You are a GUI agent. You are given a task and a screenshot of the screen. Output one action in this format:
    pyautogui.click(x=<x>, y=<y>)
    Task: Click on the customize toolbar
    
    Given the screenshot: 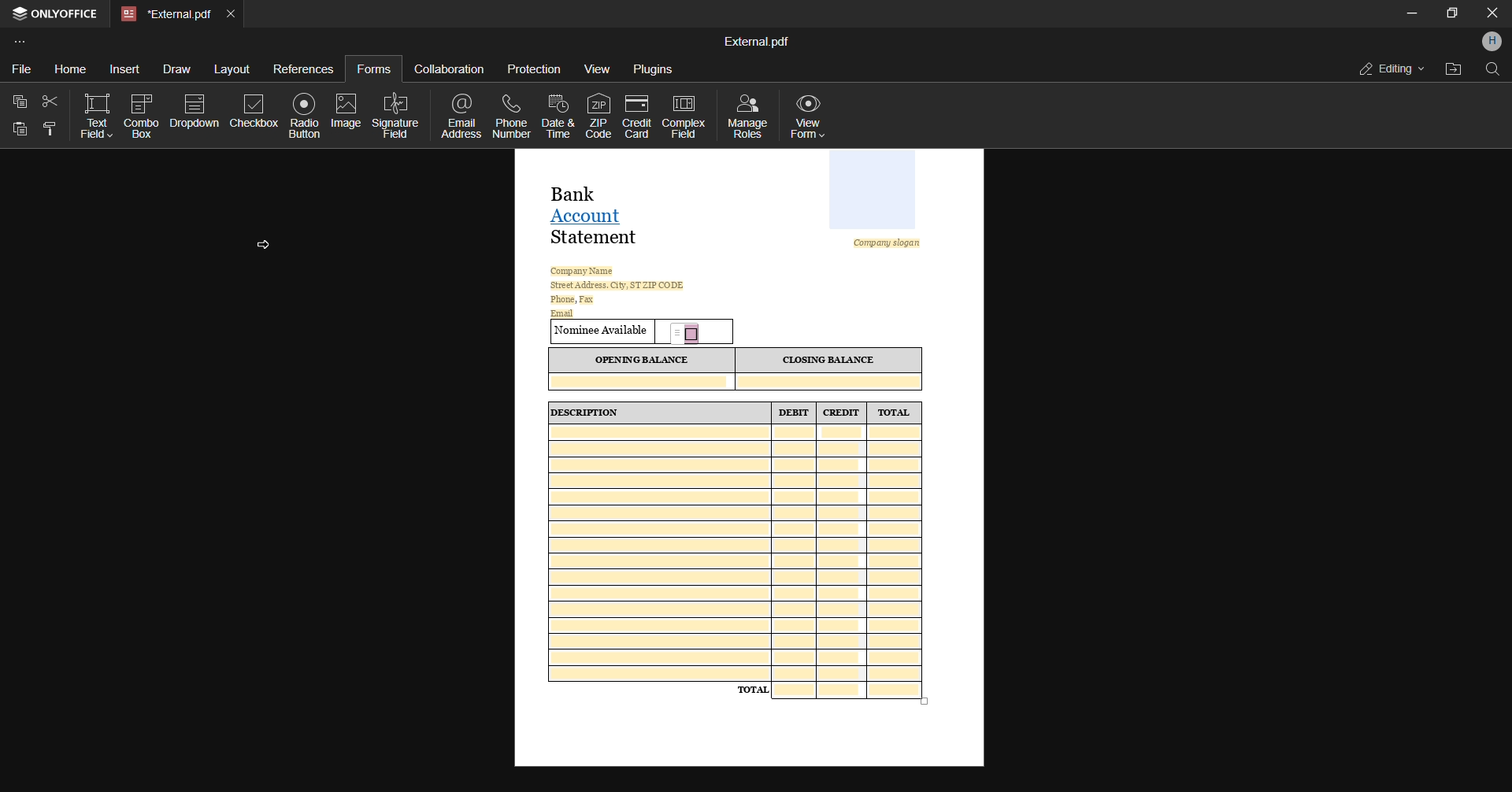 What is the action you would take?
    pyautogui.click(x=29, y=43)
    